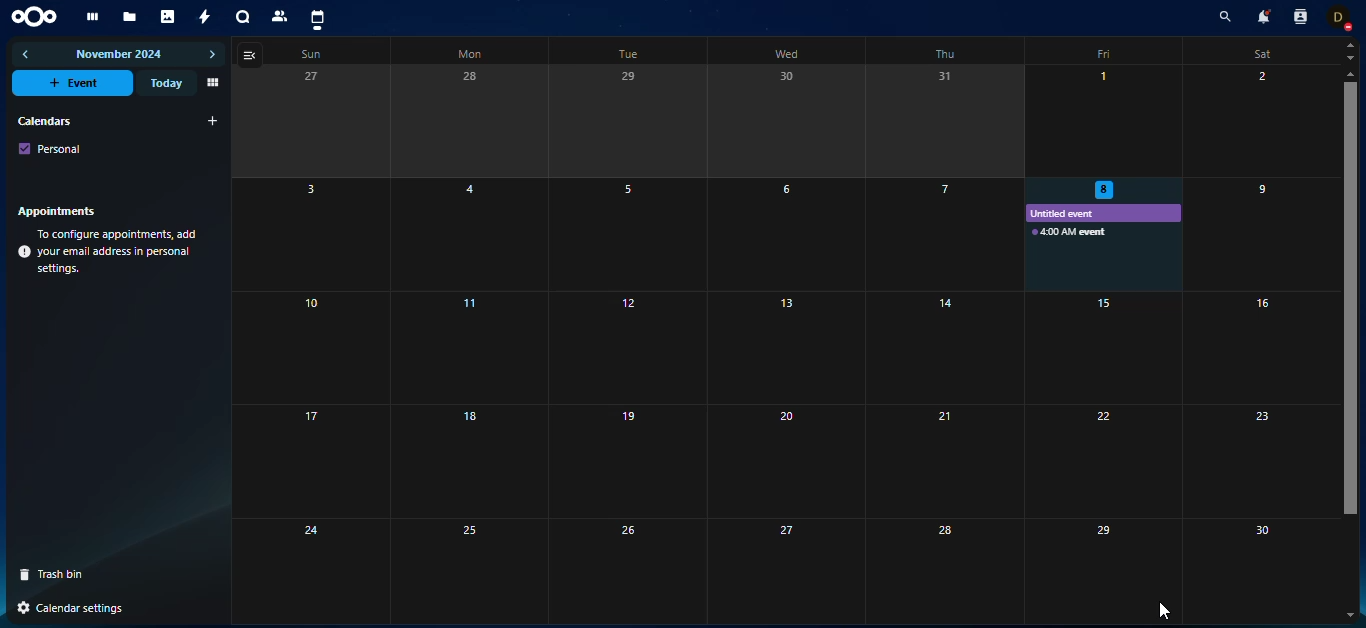 Image resolution: width=1366 pixels, height=628 pixels. What do you see at coordinates (1349, 74) in the screenshot?
I see `up` at bounding box center [1349, 74].